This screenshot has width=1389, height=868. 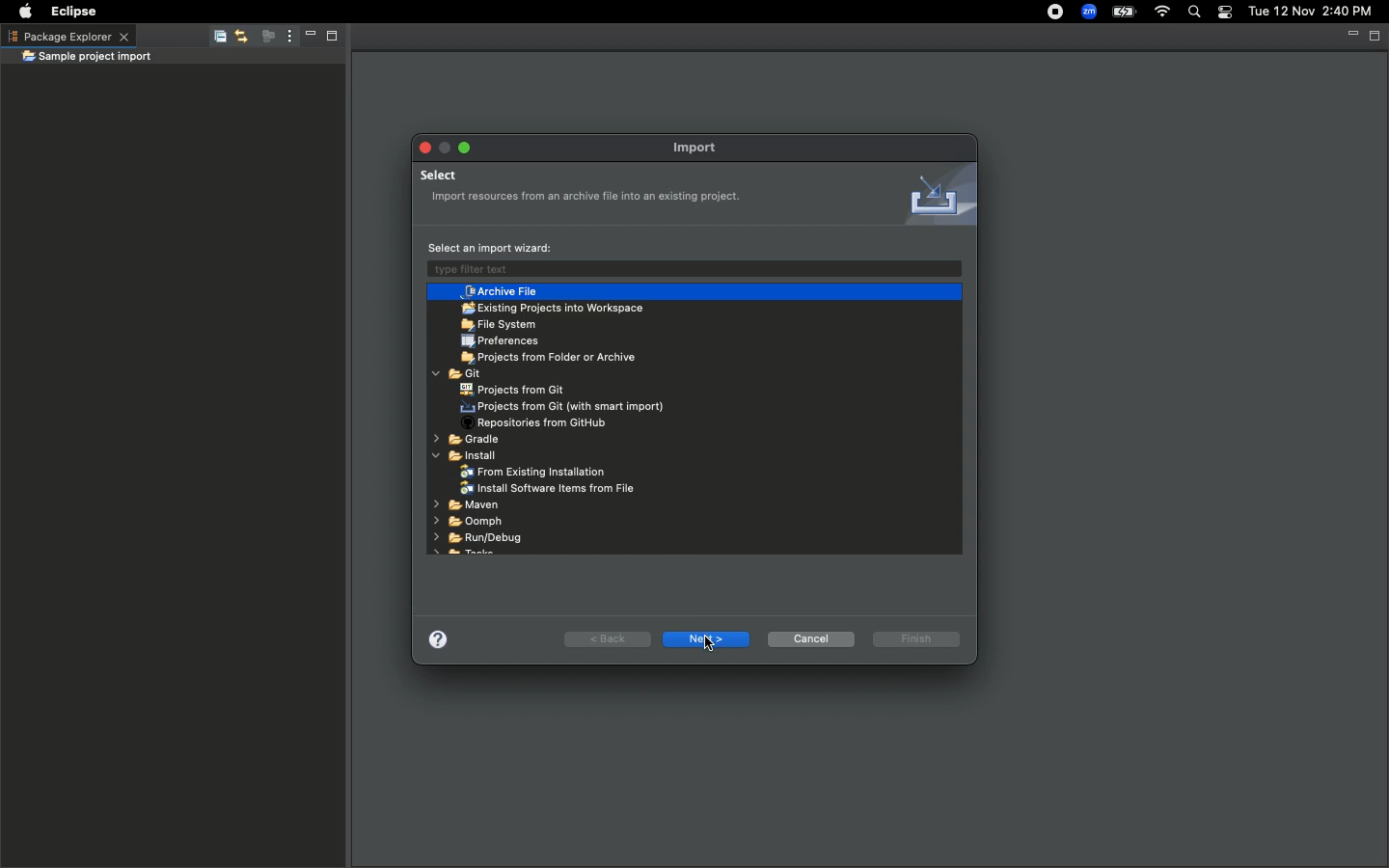 What do you see at coordinates (811, 638) in the screenshot?
I see `Cancel` at bounding box center [811, 638].